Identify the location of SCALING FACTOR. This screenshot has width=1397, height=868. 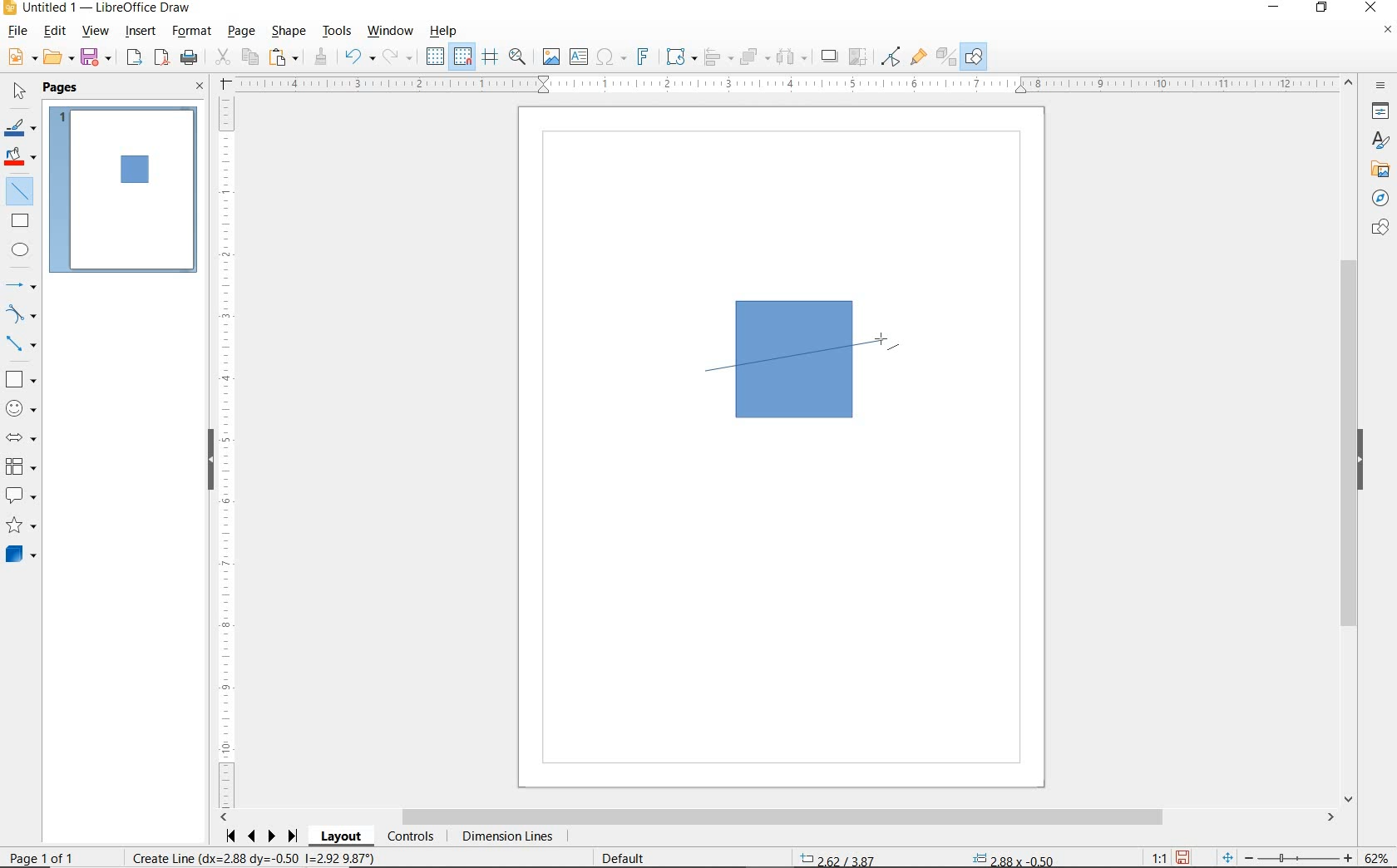
(1153, 854).